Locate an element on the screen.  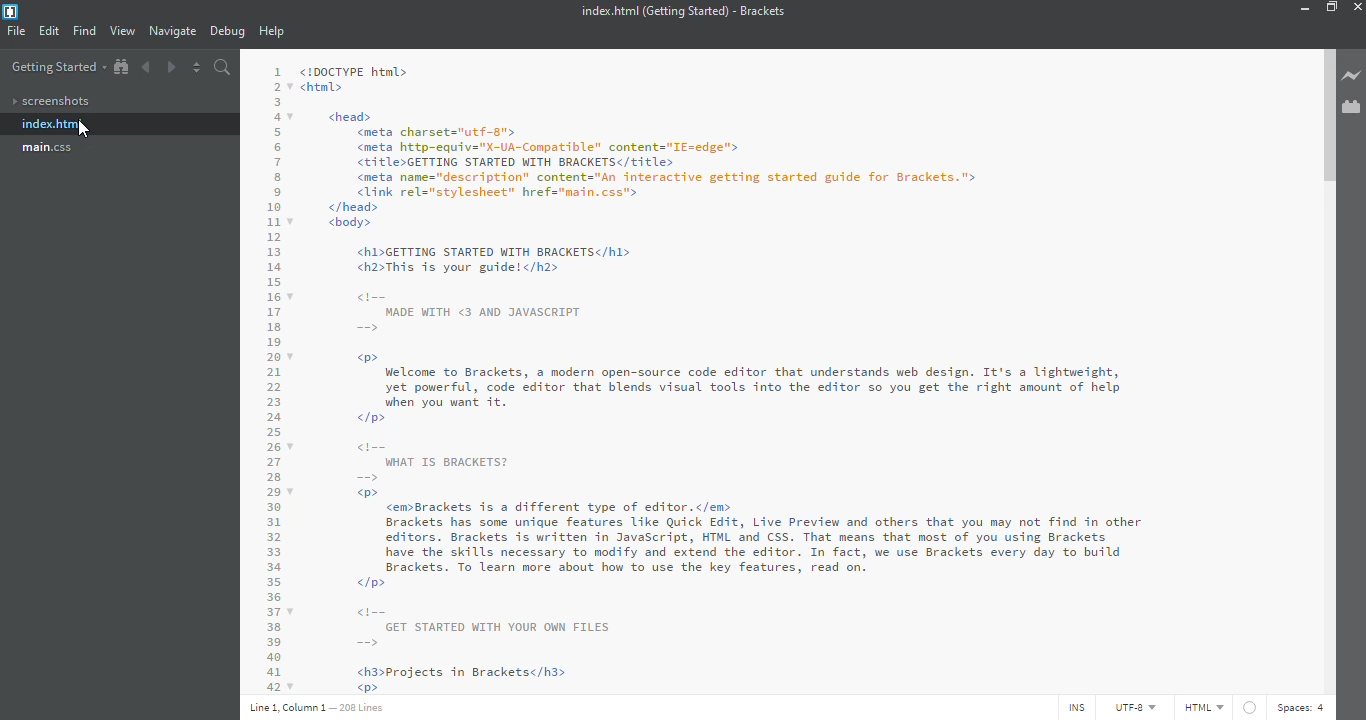
utf is located at coordinates (1128, 704).